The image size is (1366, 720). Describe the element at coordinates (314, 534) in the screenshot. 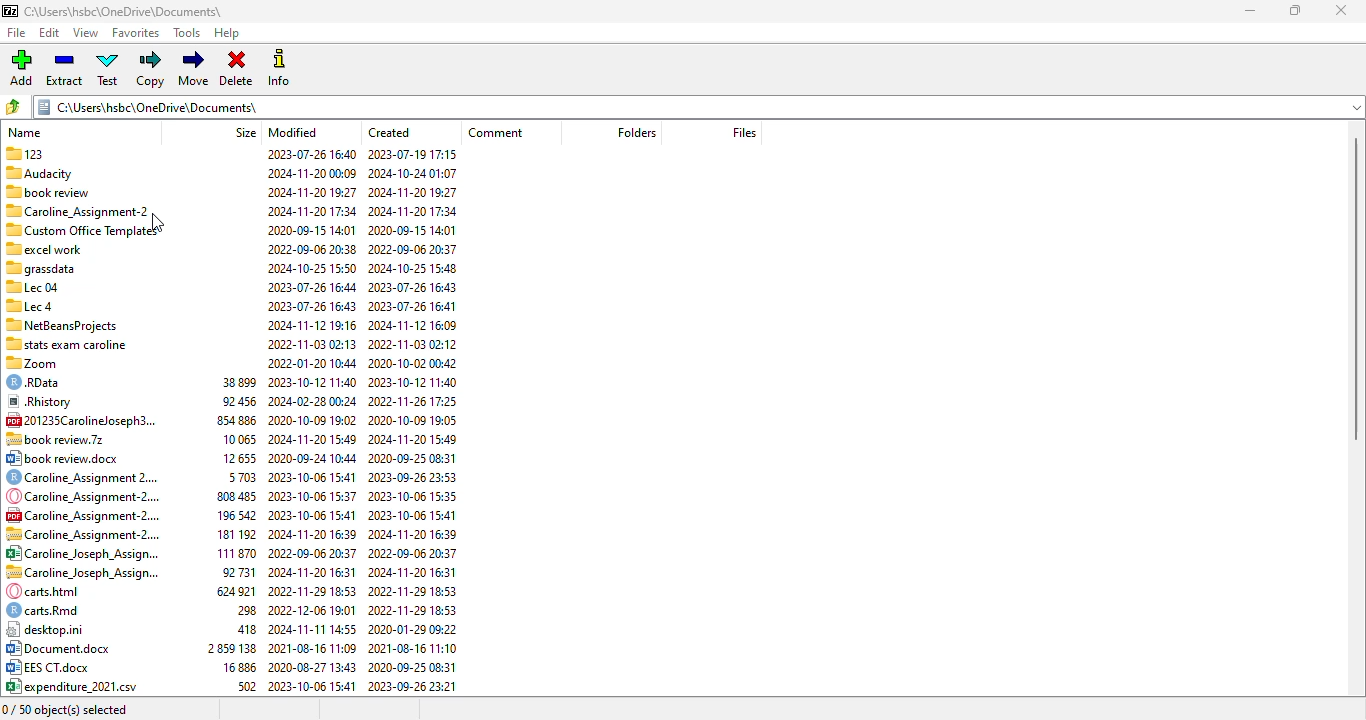

I see `2024-11-20 16:39` at that location.